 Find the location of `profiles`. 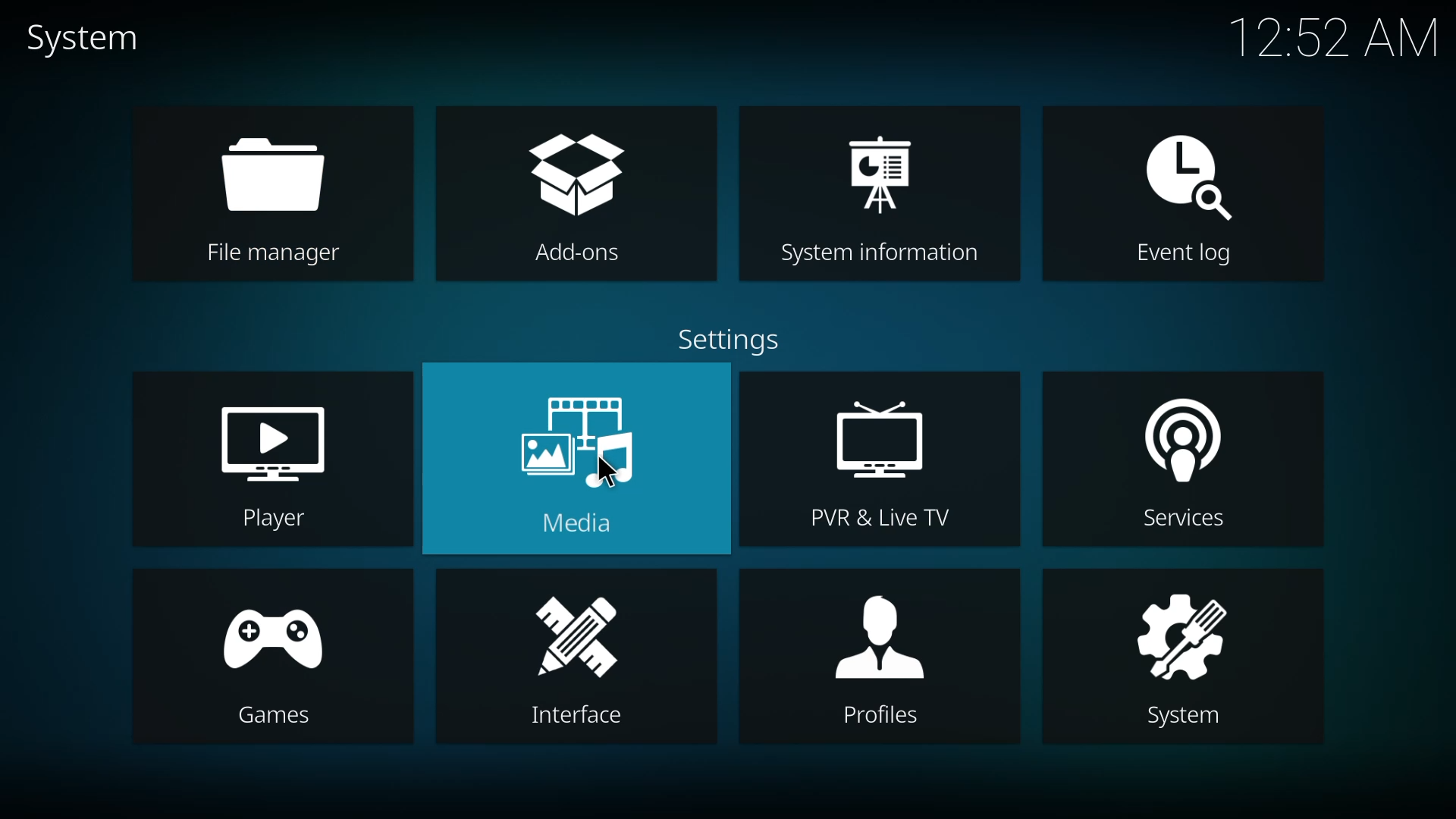

profiles is located at coordinates (879, 631).